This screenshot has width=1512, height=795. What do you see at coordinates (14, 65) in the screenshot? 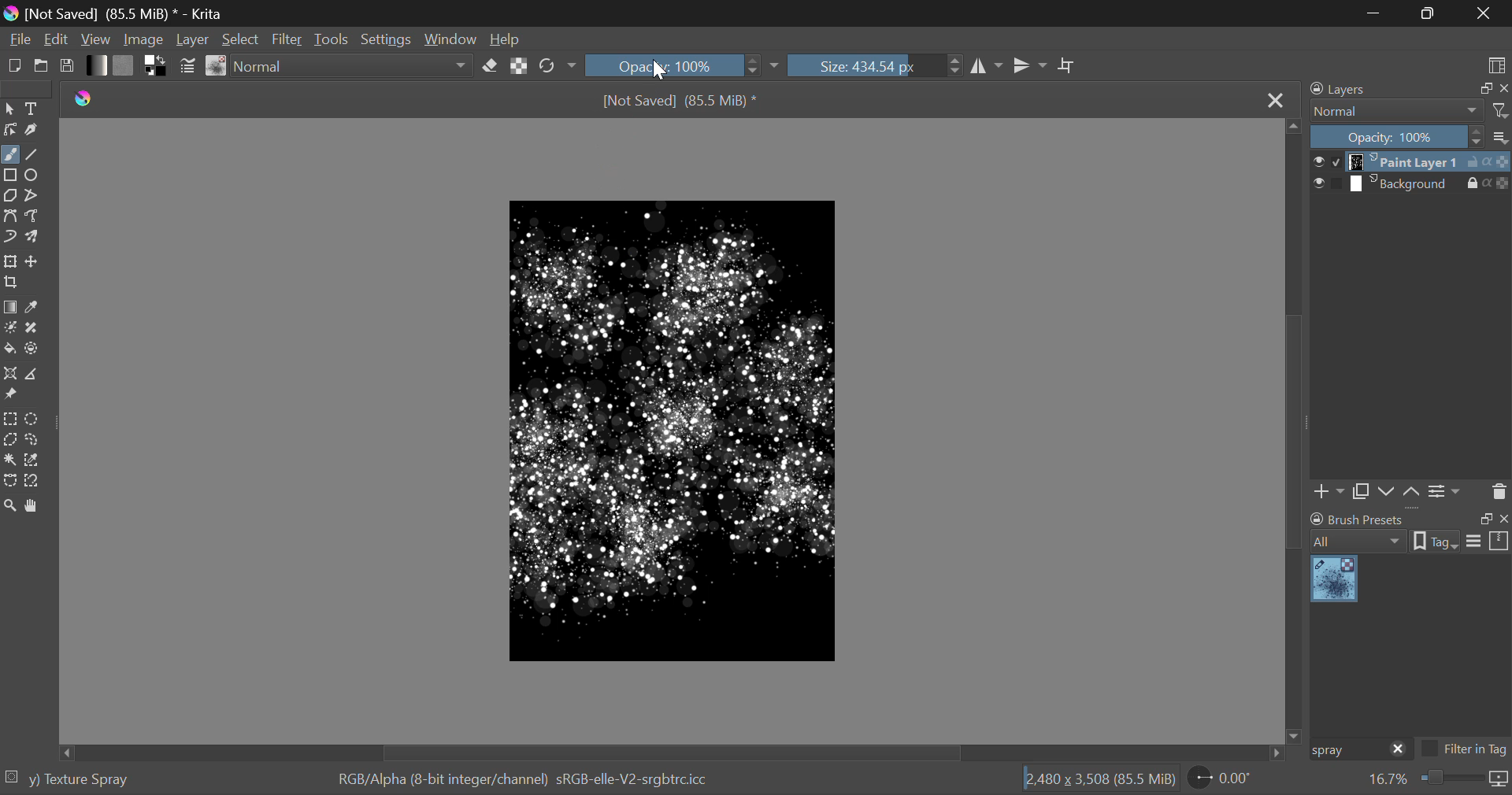
I see `New` at bounding box center [14, 65].